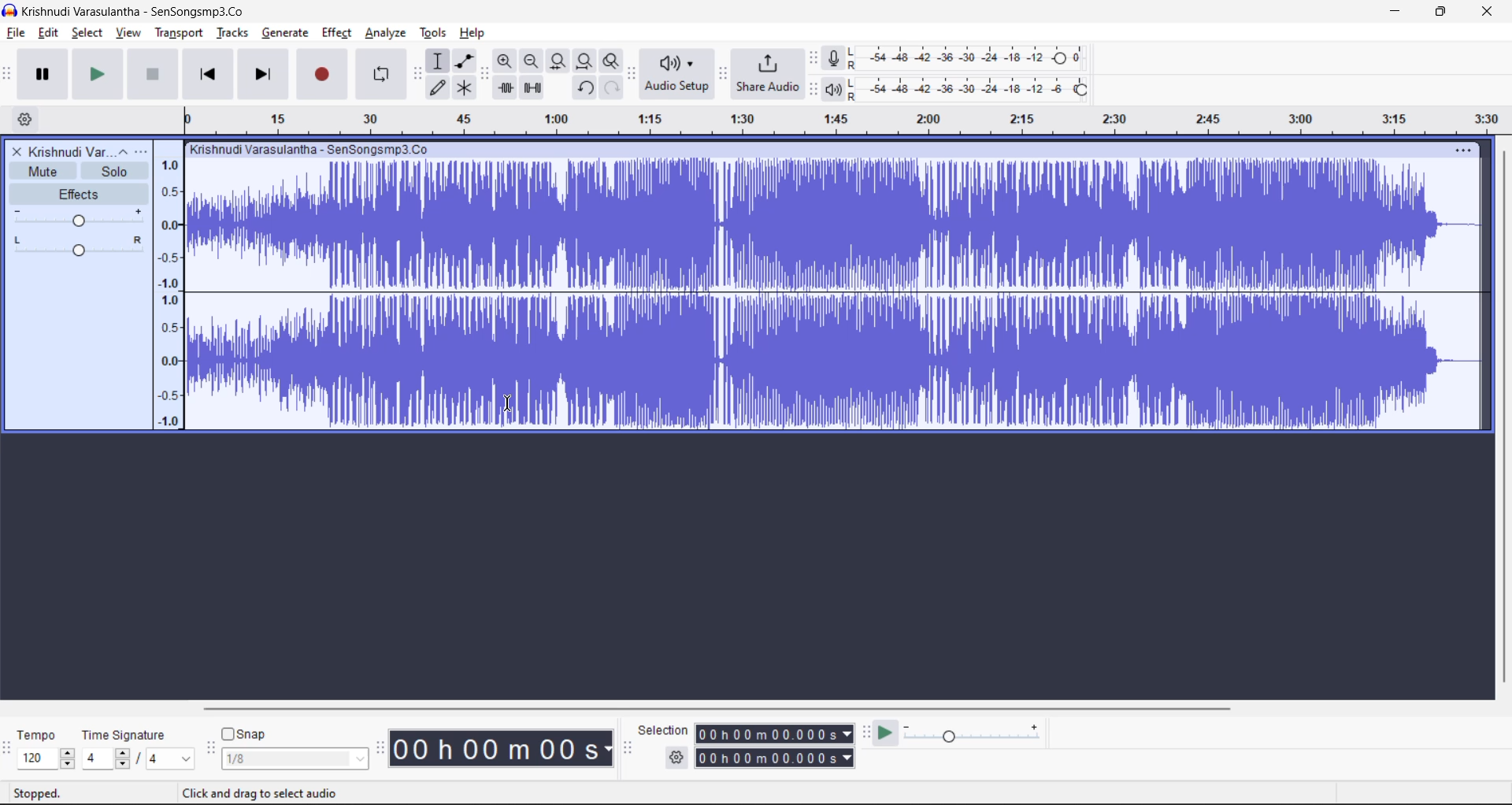 The height and width of the screenshot is (805, 1512). Describe the element at coordinates (49, 33) in the screenshot. I see `edit` at that location.